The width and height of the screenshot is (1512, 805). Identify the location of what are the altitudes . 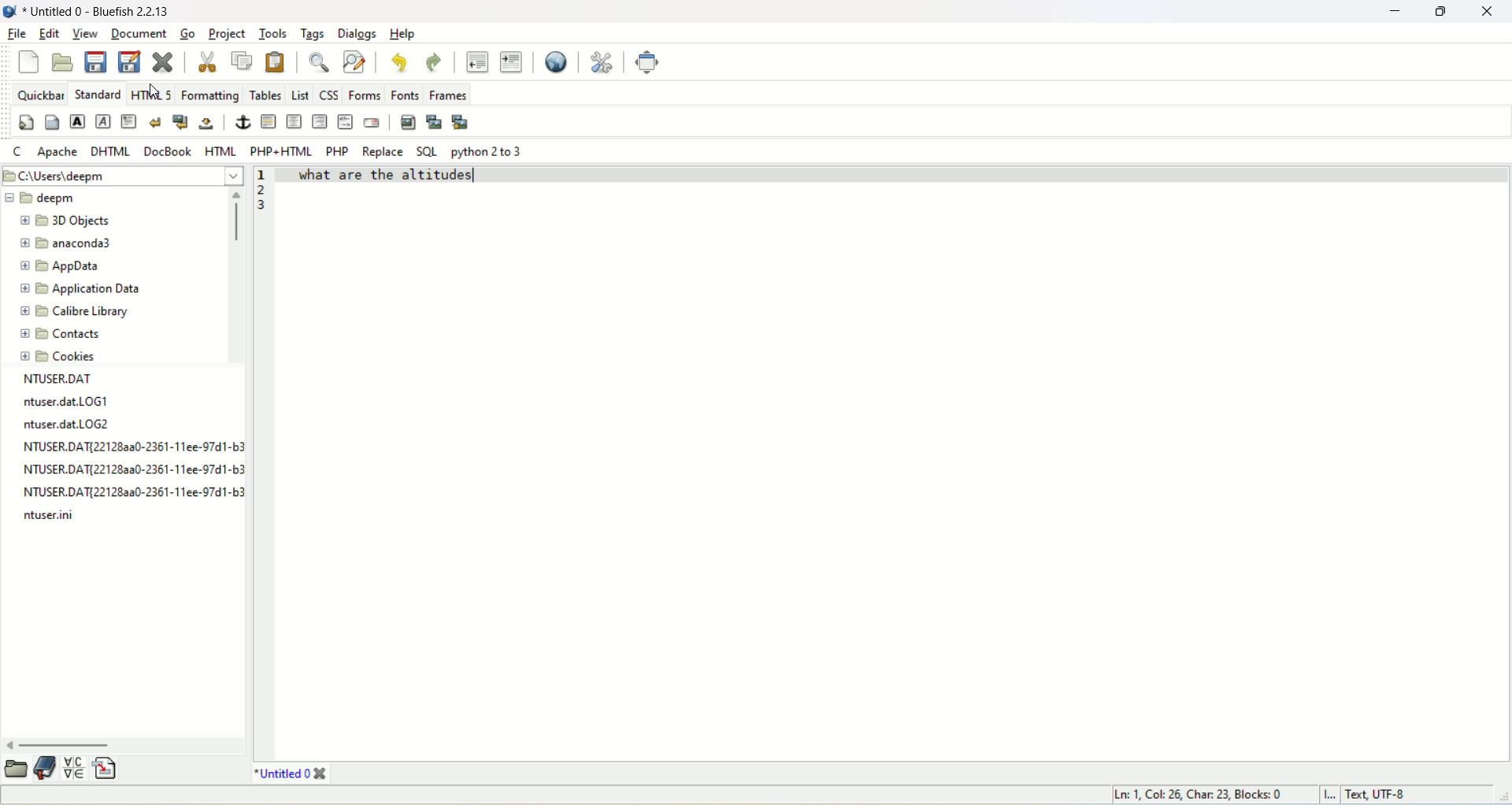
(393, 175).